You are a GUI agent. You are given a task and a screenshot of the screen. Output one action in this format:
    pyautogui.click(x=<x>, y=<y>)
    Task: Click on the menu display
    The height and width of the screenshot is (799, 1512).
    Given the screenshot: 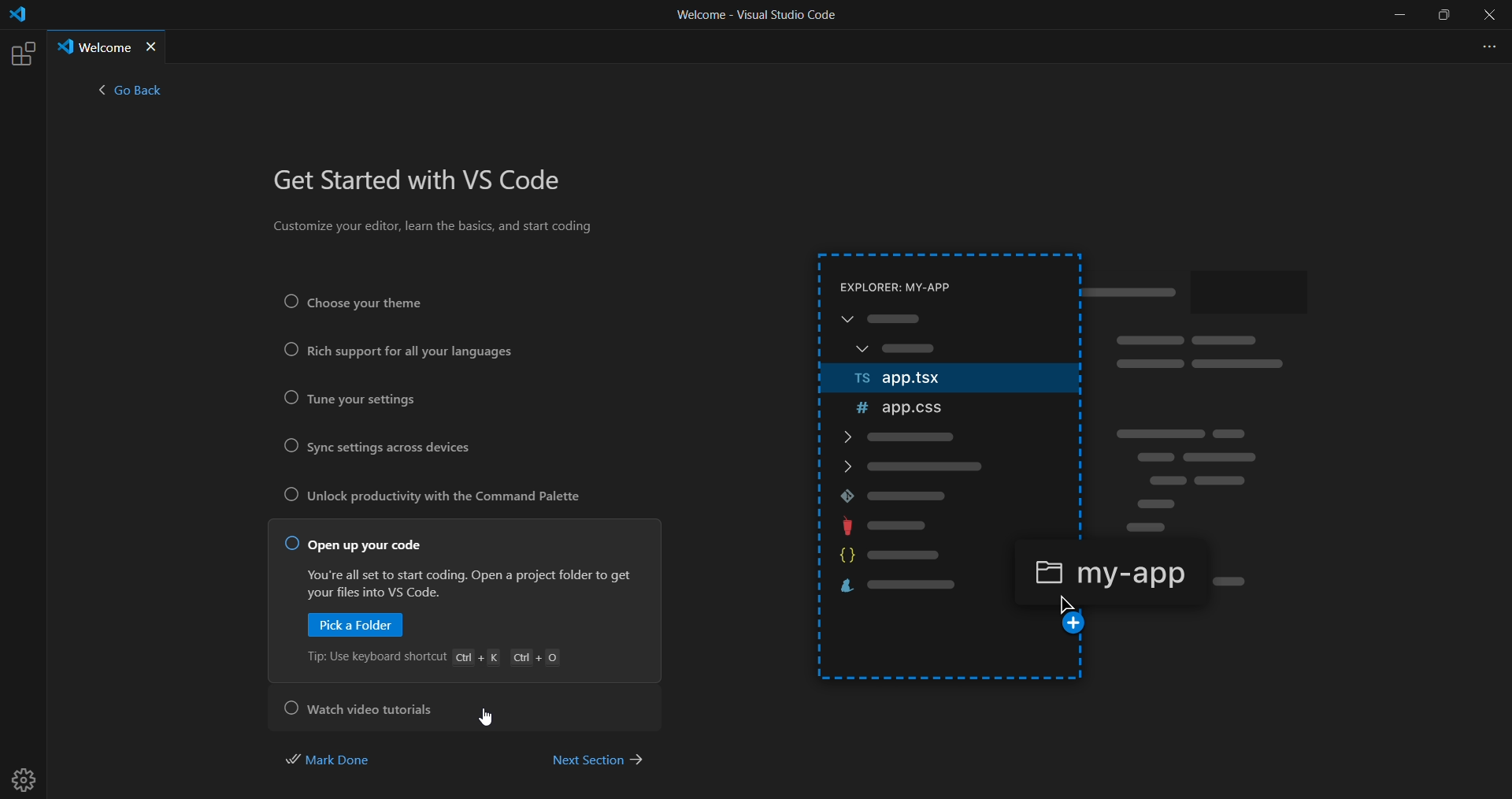 What is the action you would take?
    pyautogui.click(x=954, y=453)
    